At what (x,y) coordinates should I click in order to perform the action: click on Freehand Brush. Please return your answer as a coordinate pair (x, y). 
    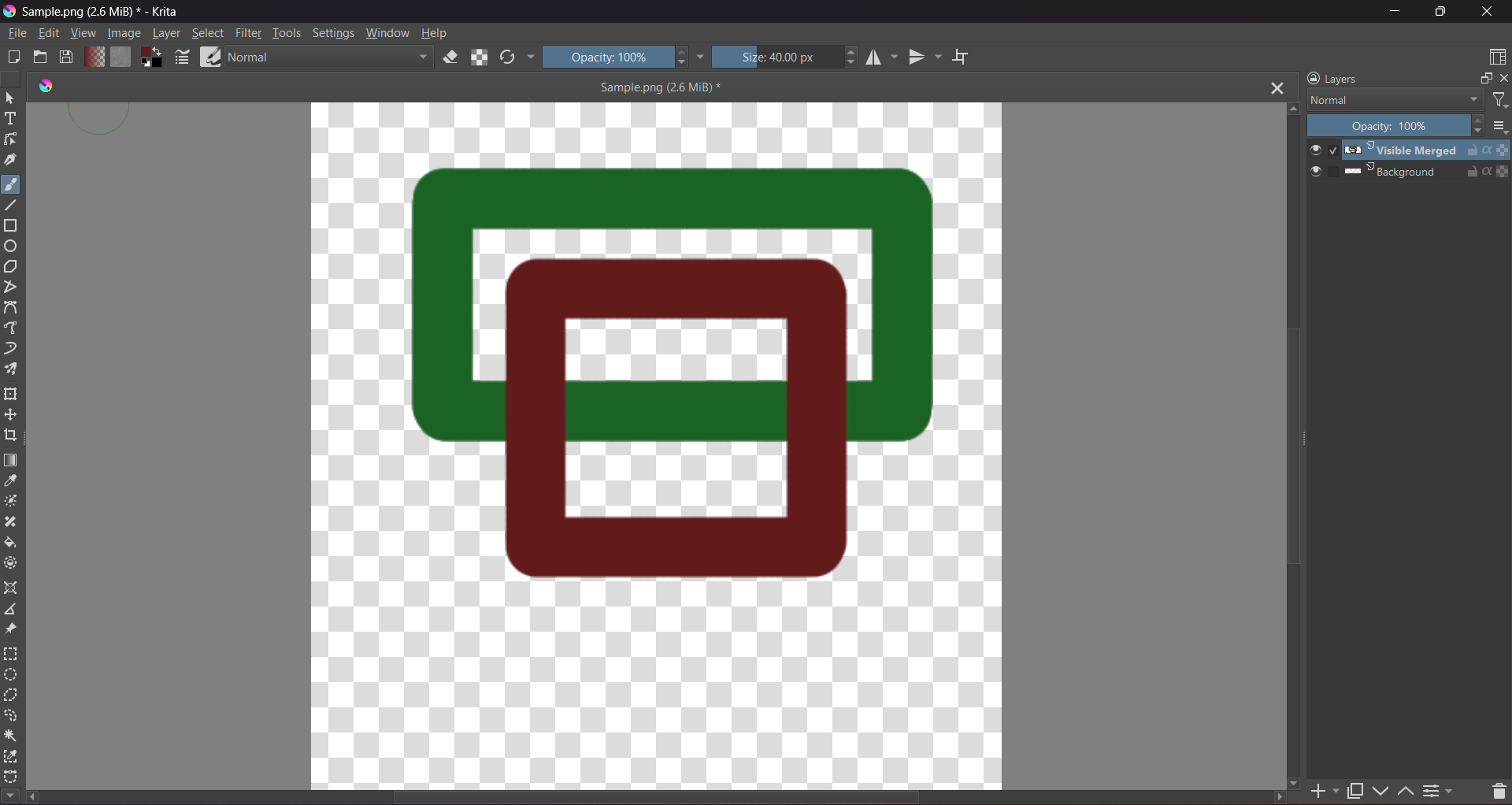
    Looking at the image, I should click on (11, 182).